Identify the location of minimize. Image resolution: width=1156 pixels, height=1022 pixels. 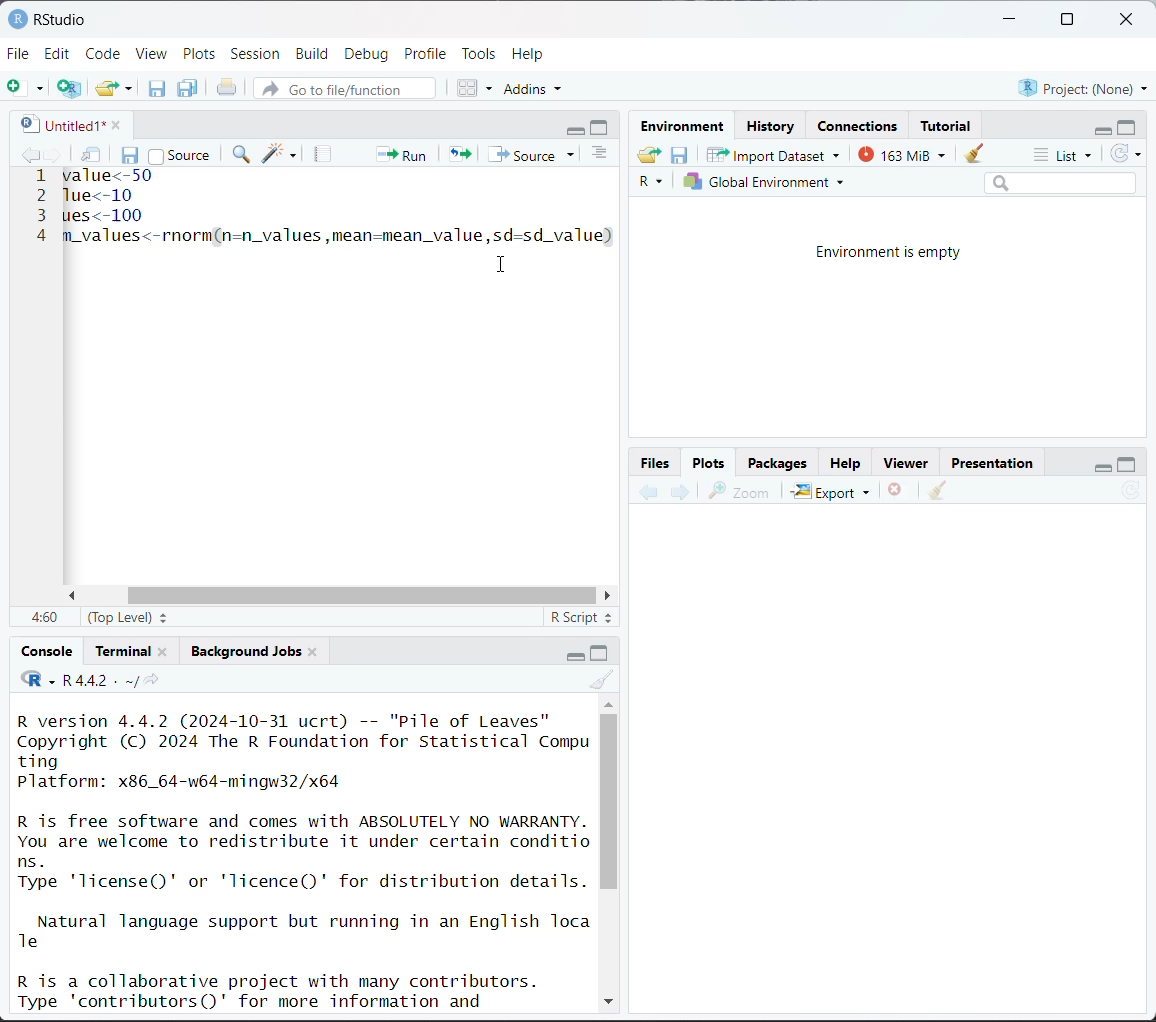
(1099, 128).